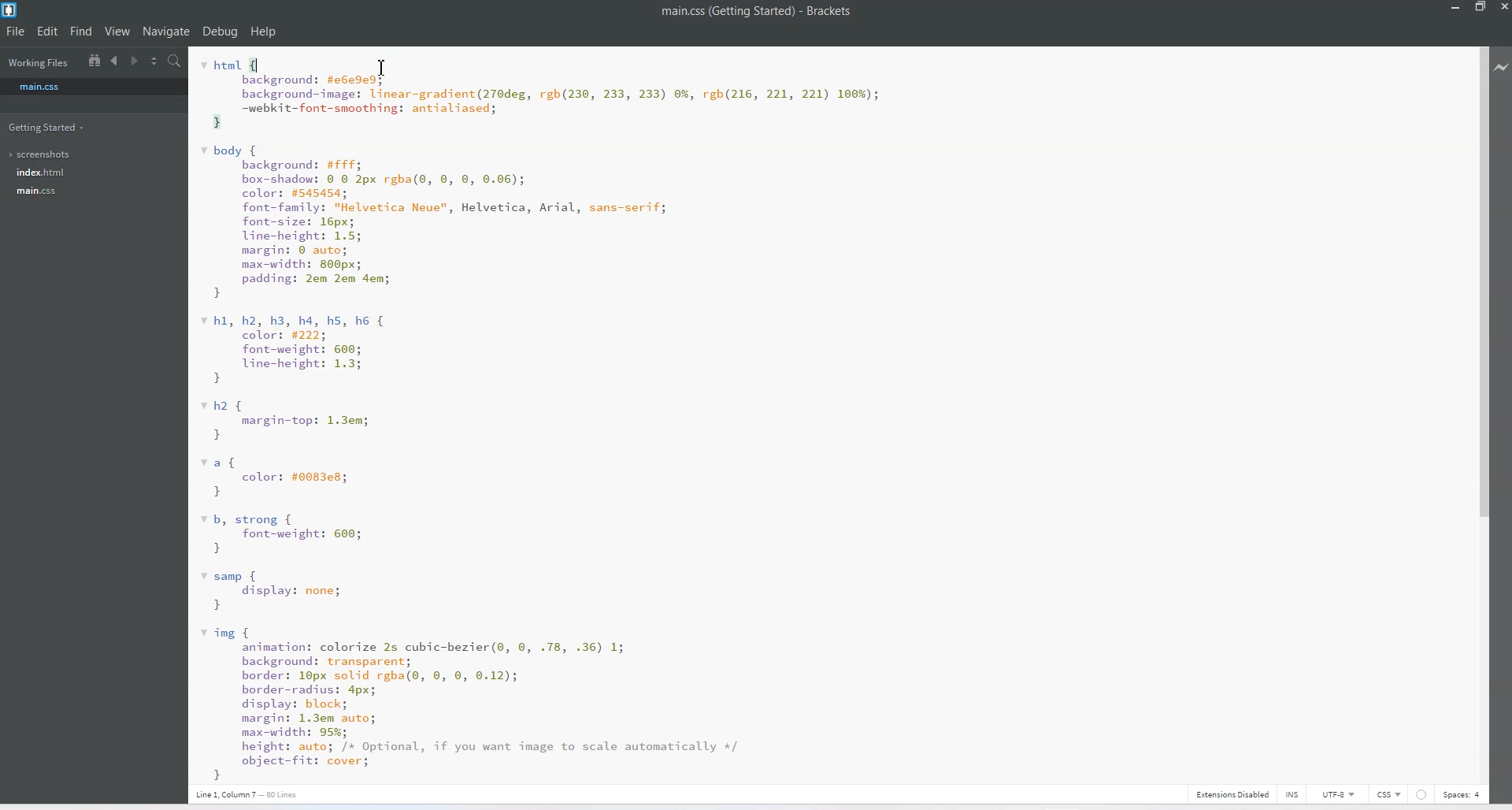 The image size is (1512, 810). Describe the element at coordinates (263, 32) in the screenshot. I see `Help` at that location.